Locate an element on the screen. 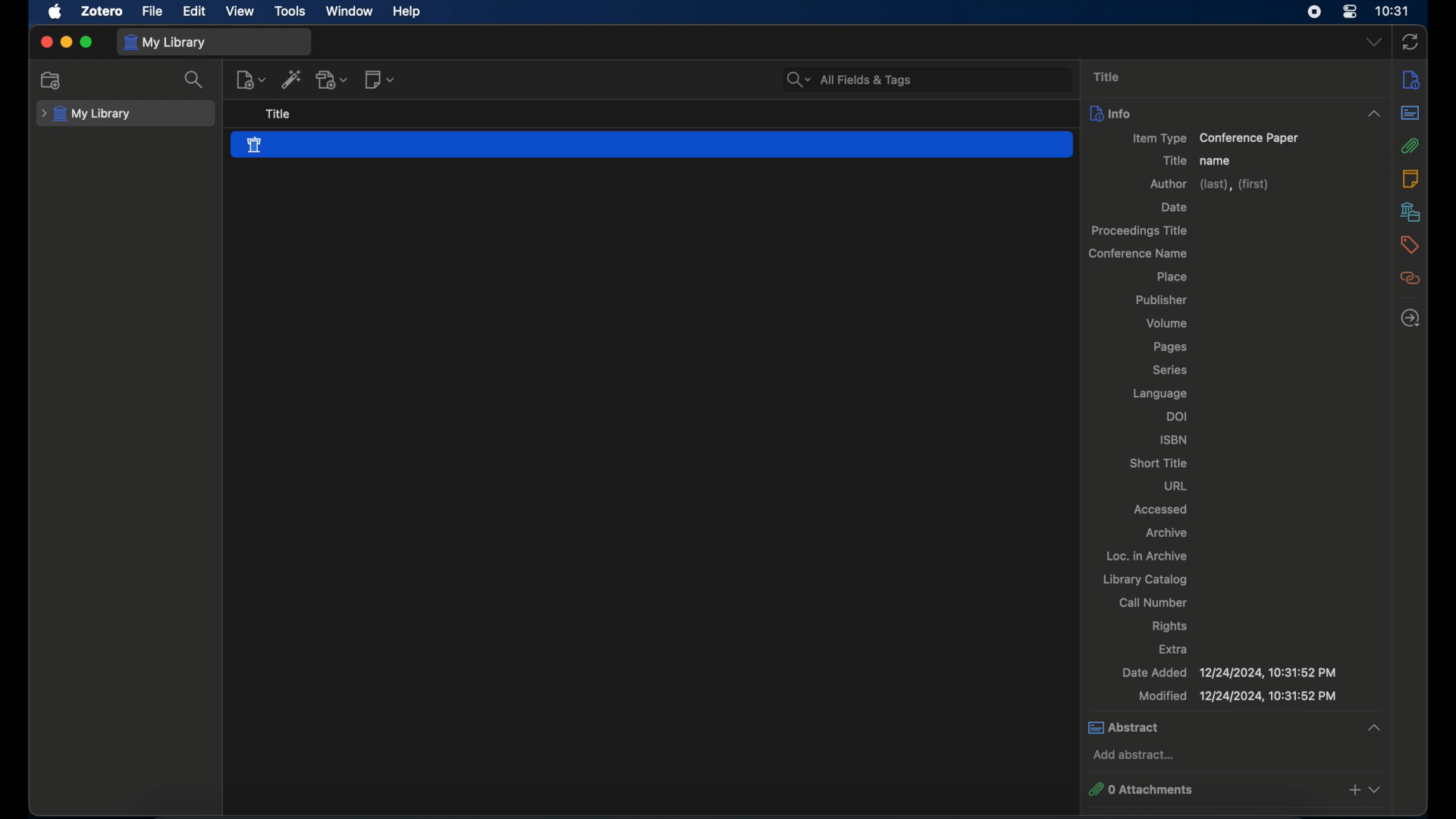 The image size is (1456, 819). publisher is located at coordinates (1162, 300).